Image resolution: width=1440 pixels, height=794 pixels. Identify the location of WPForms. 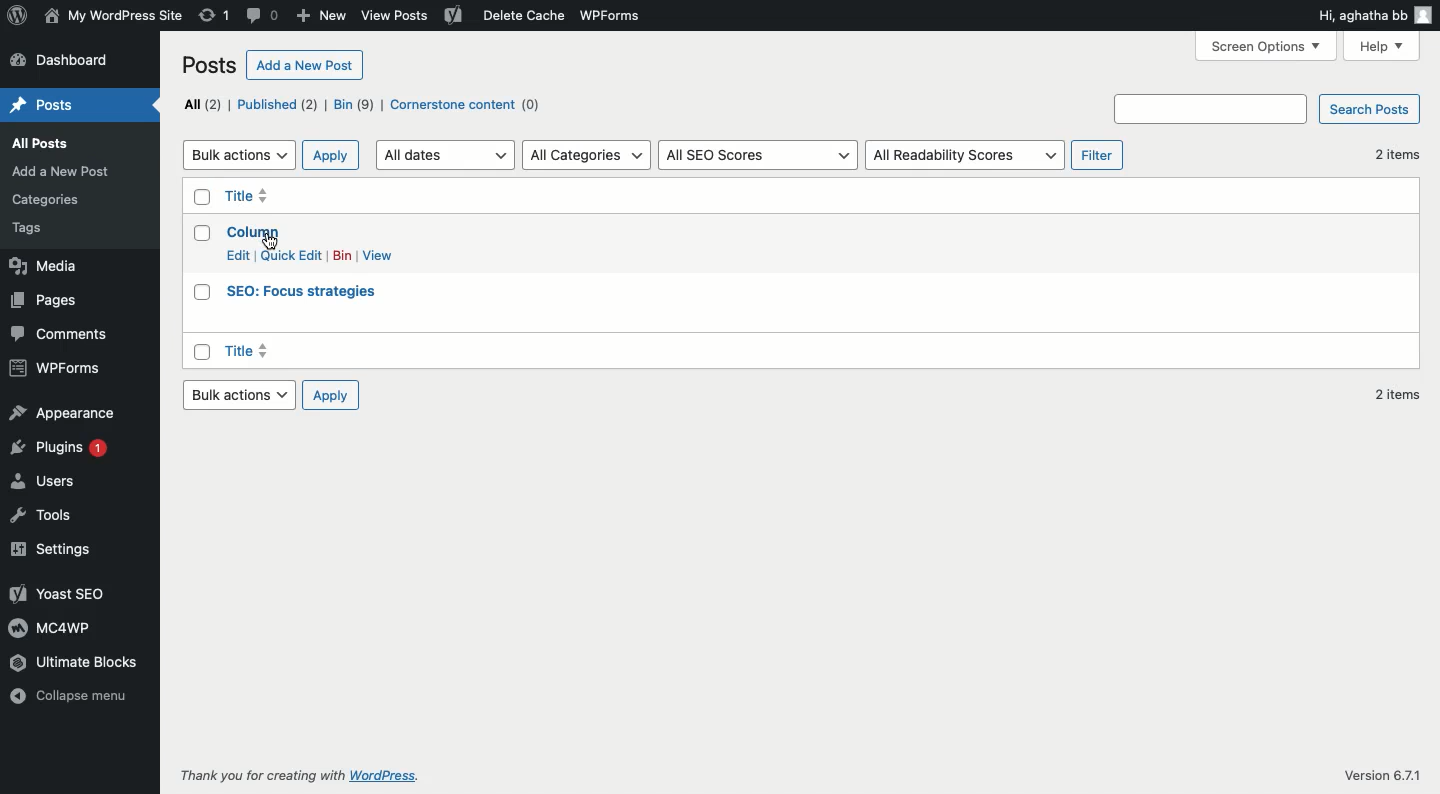
(613, 16).